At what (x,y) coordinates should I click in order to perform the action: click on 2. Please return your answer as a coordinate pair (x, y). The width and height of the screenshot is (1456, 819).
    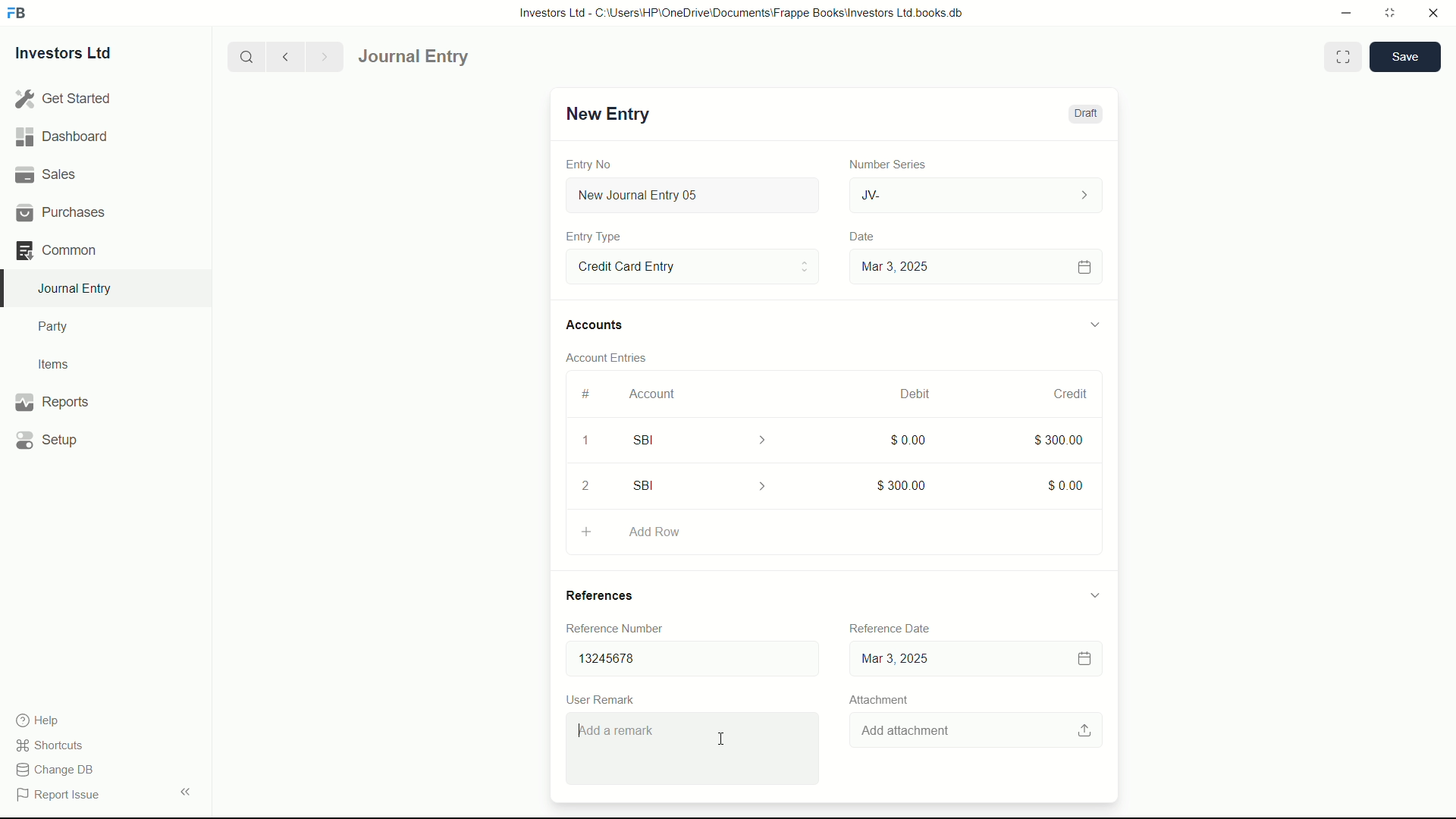
    Looking at the image, I should click on (591, 485).